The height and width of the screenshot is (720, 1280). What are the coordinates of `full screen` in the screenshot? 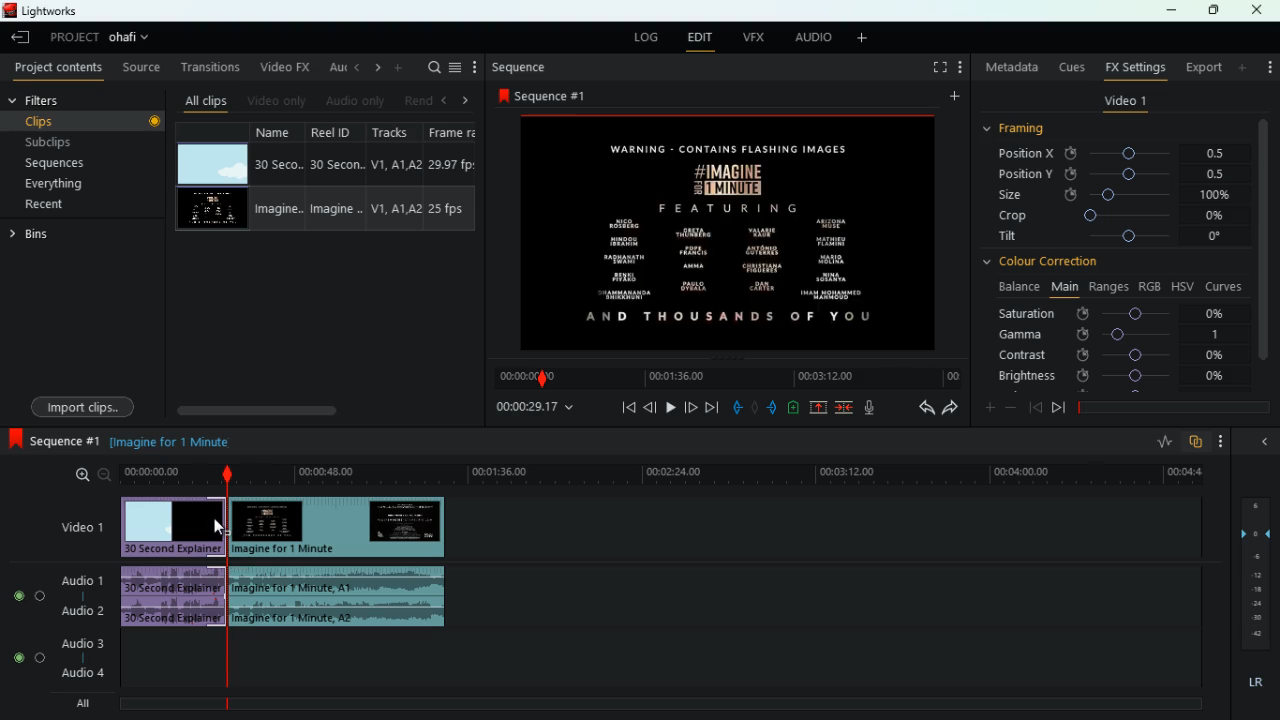 It's located at (940, 69).